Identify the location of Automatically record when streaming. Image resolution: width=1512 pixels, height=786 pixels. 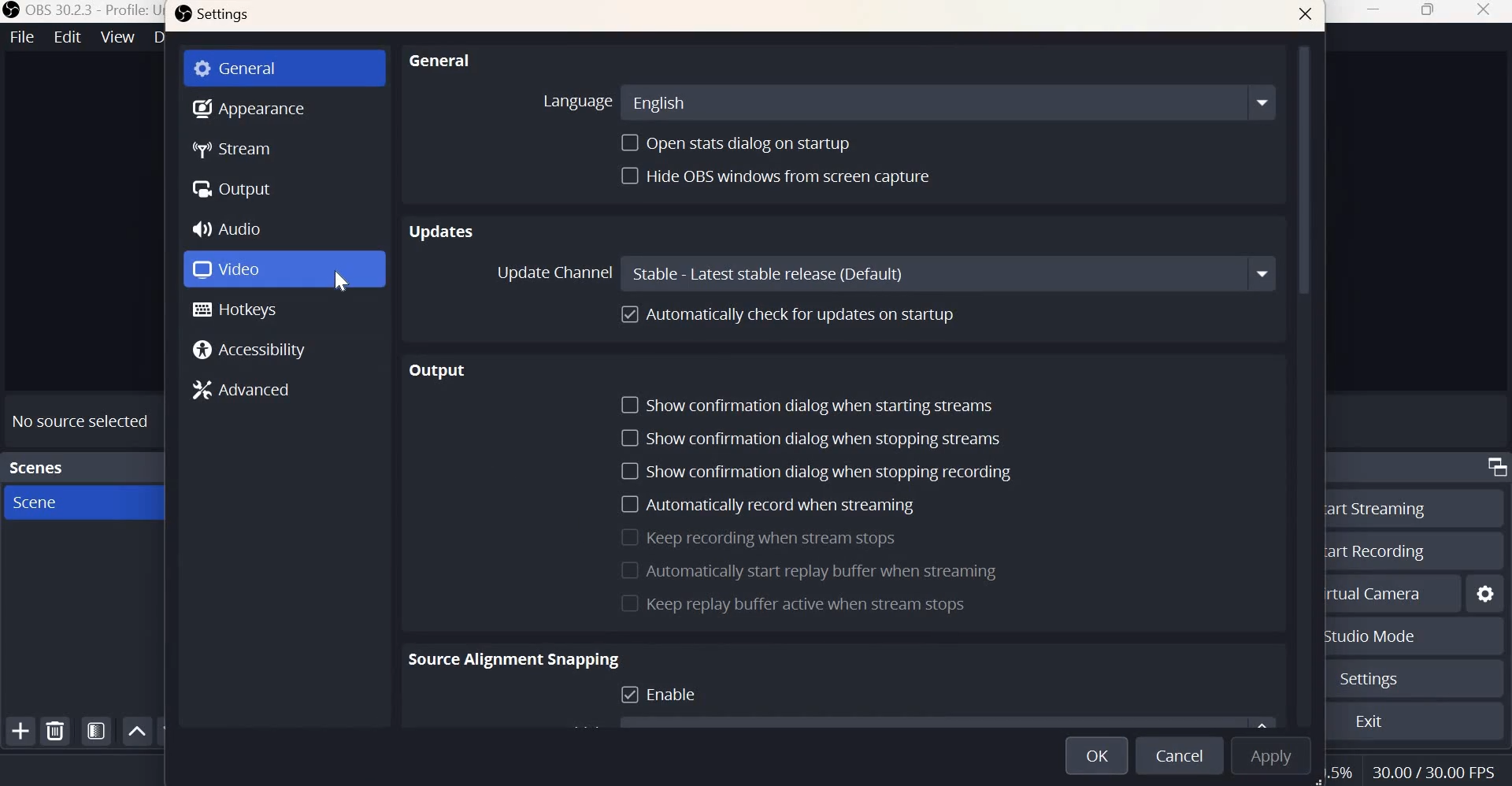
(771, 503).